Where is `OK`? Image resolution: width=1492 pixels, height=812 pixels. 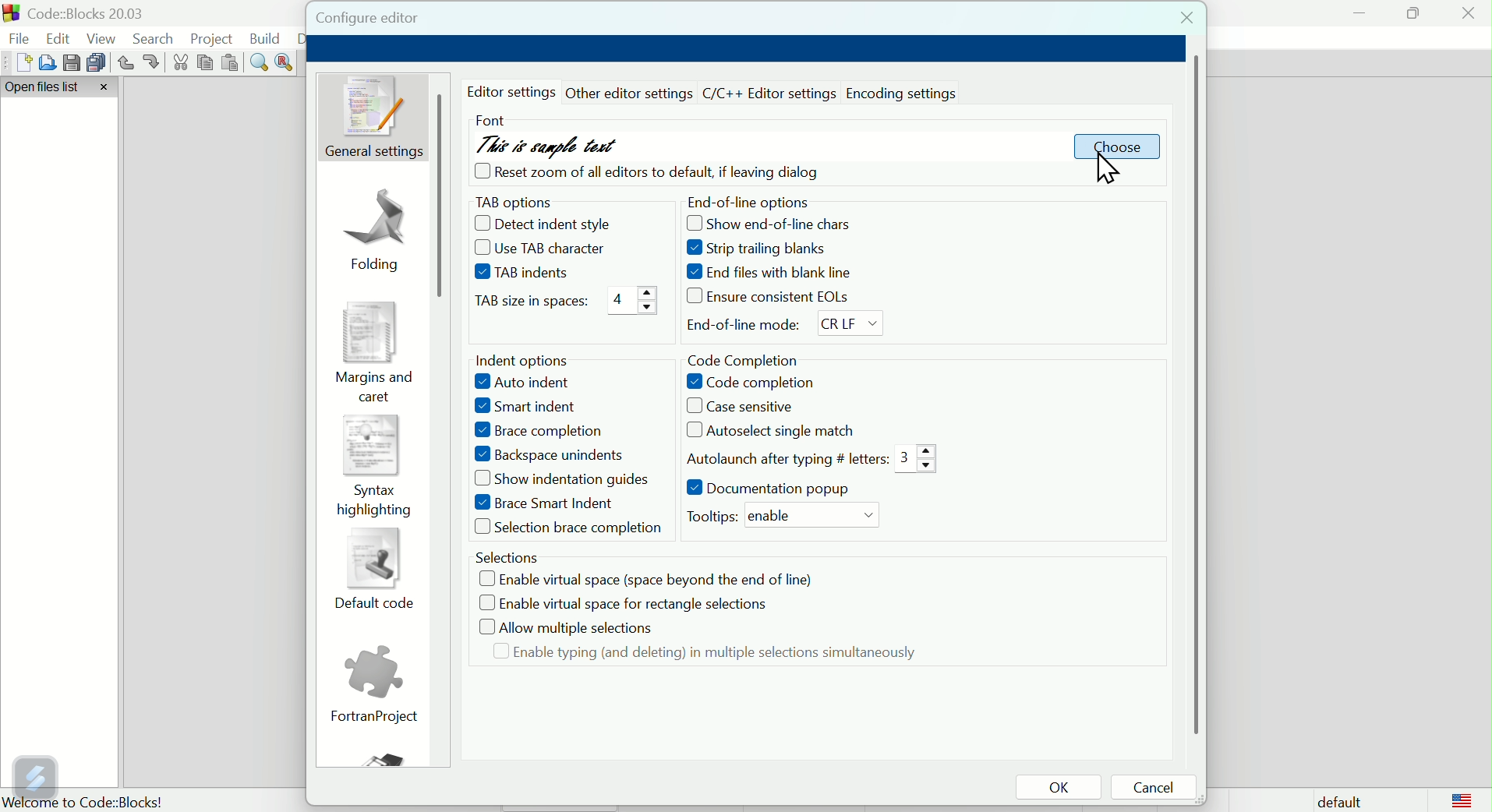 OK is located at coordinates (1058, 789).